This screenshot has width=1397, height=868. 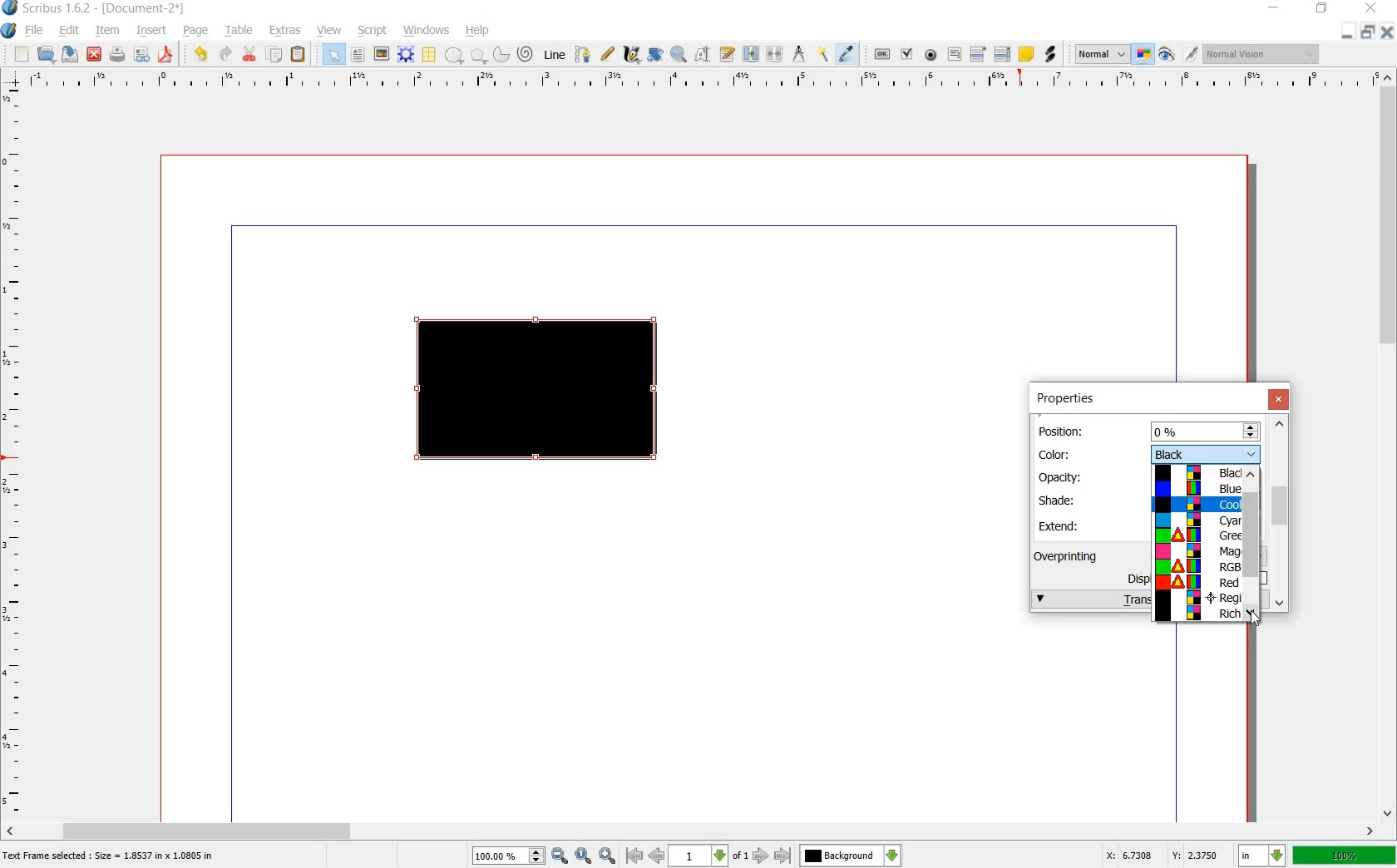 What do you see at coordinates (703, 55) in the screenshot?
I see `edit contents of frame` at bounding box center [703, 55].